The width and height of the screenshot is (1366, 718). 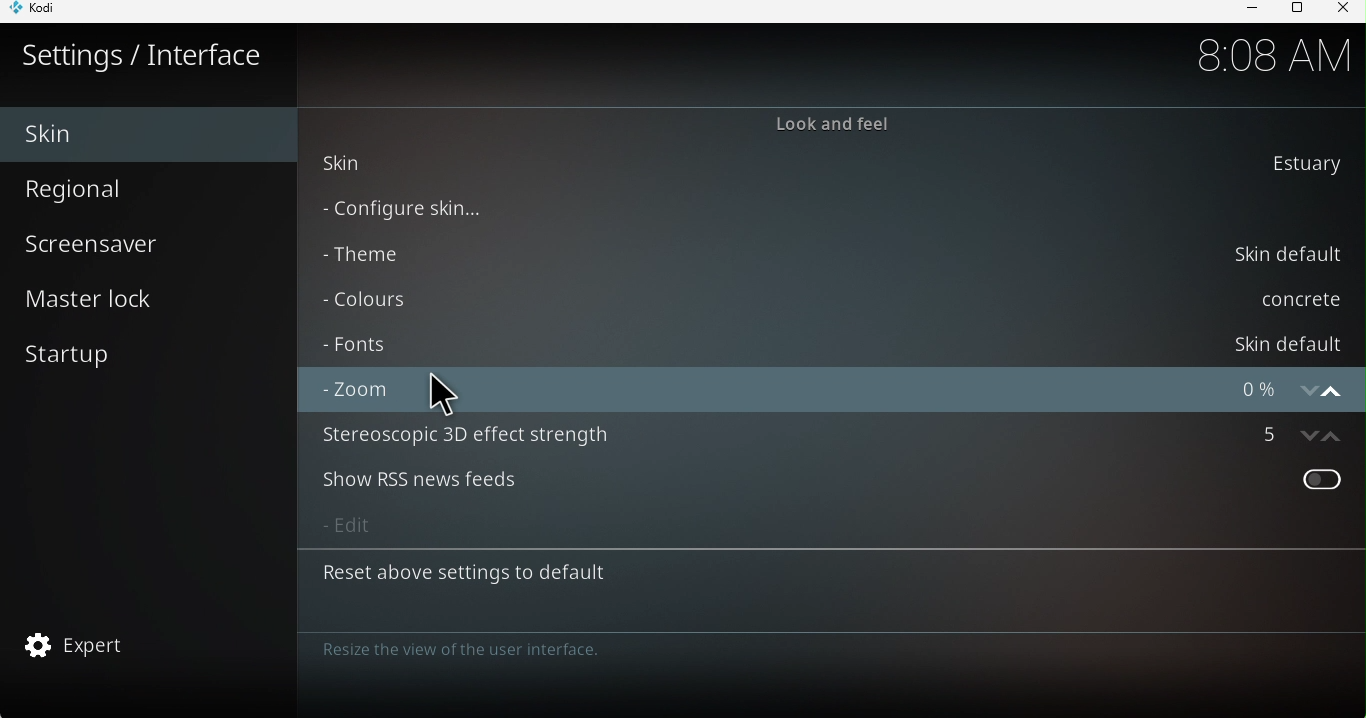 What do you see at coordinates (1243, 11) in the screenshot?
I see `Minimize` at bounding box center [1243, 11].